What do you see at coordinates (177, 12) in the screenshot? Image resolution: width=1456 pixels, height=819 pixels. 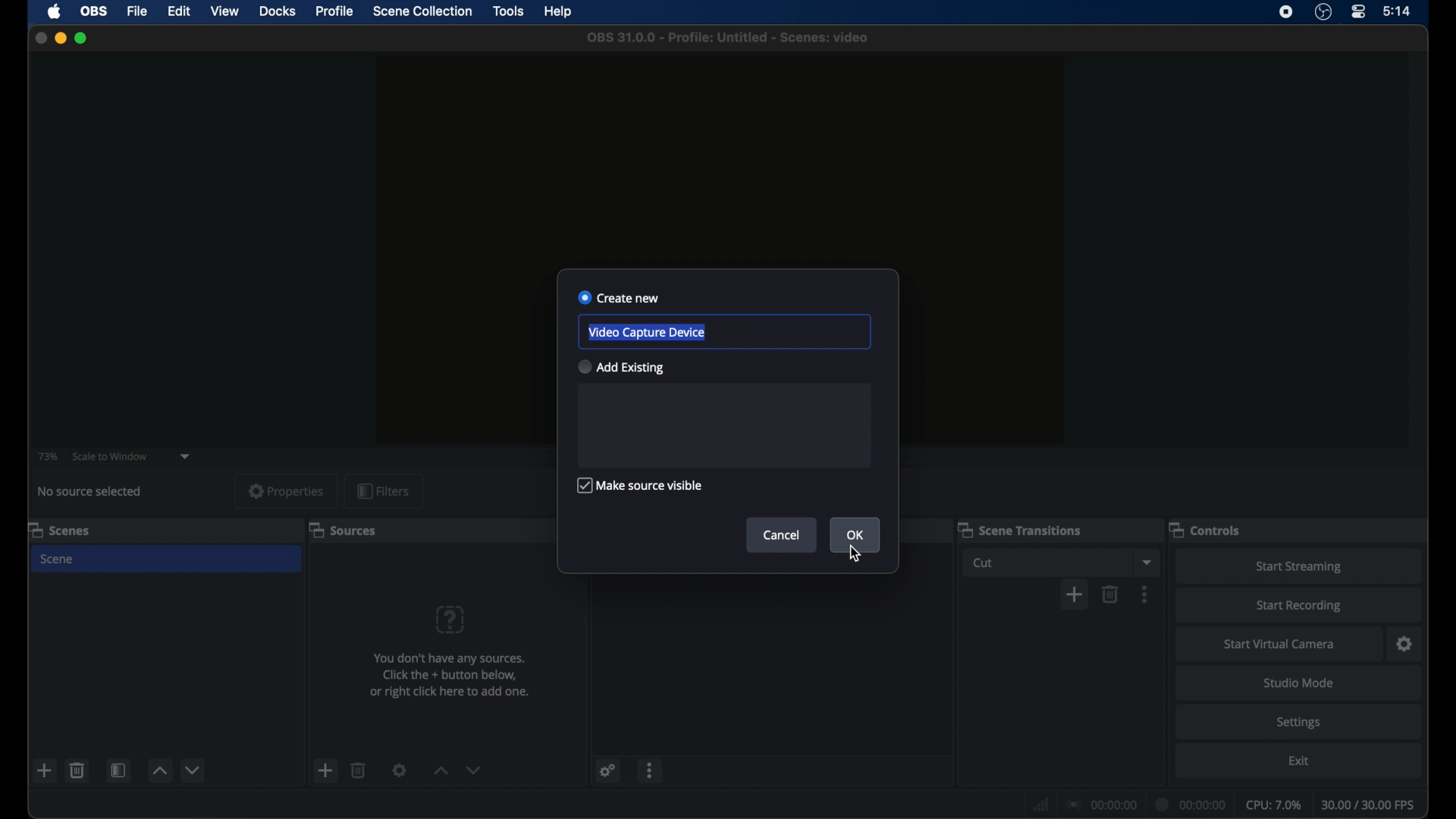 I see `edit` at bounding box center [177, 12].